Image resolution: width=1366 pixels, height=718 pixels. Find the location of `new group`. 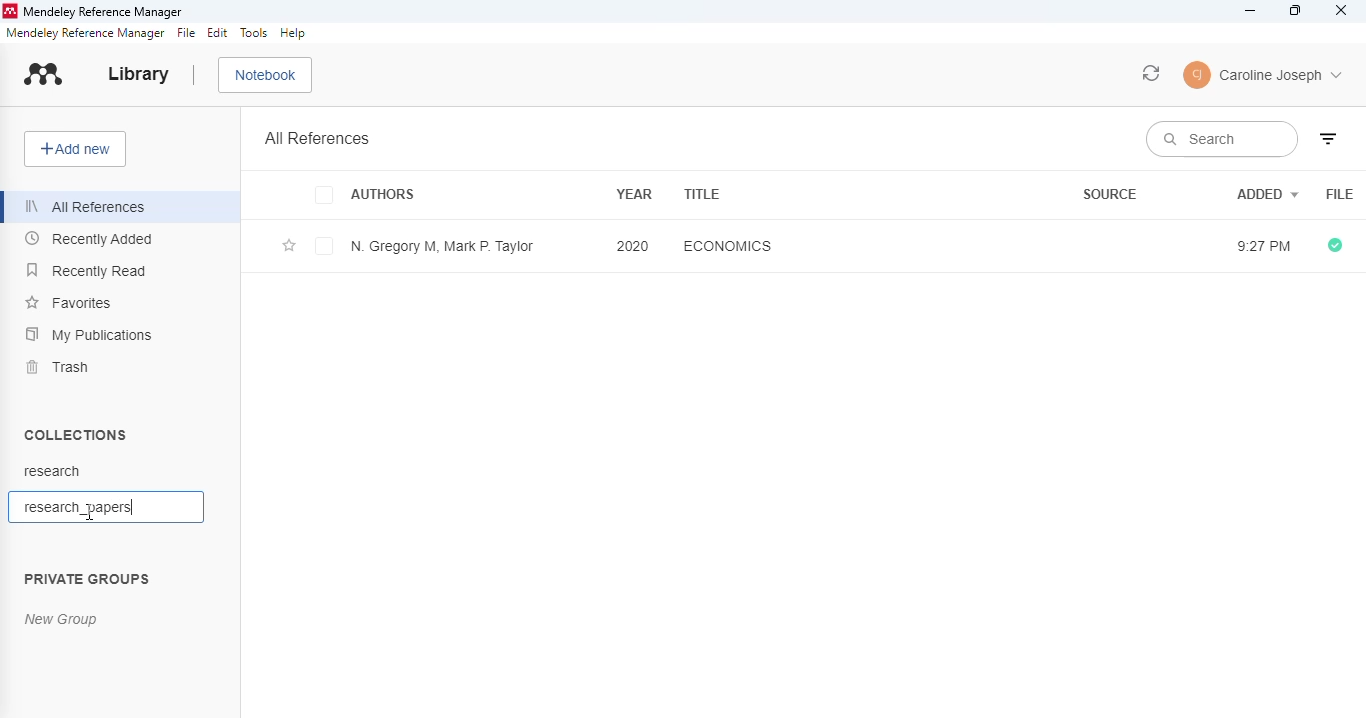

new group is located at coordinates (62, 620).